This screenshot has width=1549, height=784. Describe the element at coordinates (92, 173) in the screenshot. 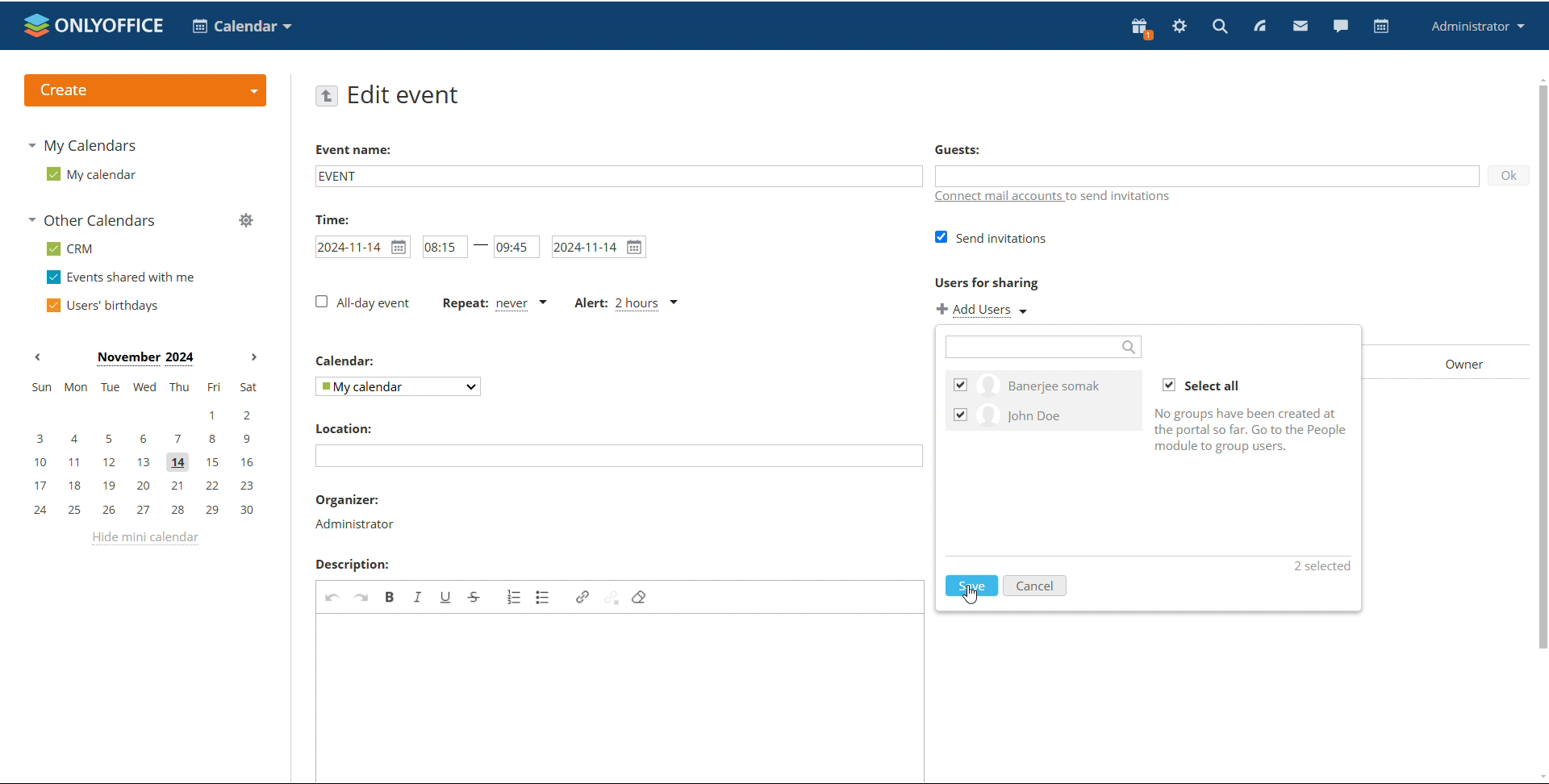

I see `my calendar` at that location.